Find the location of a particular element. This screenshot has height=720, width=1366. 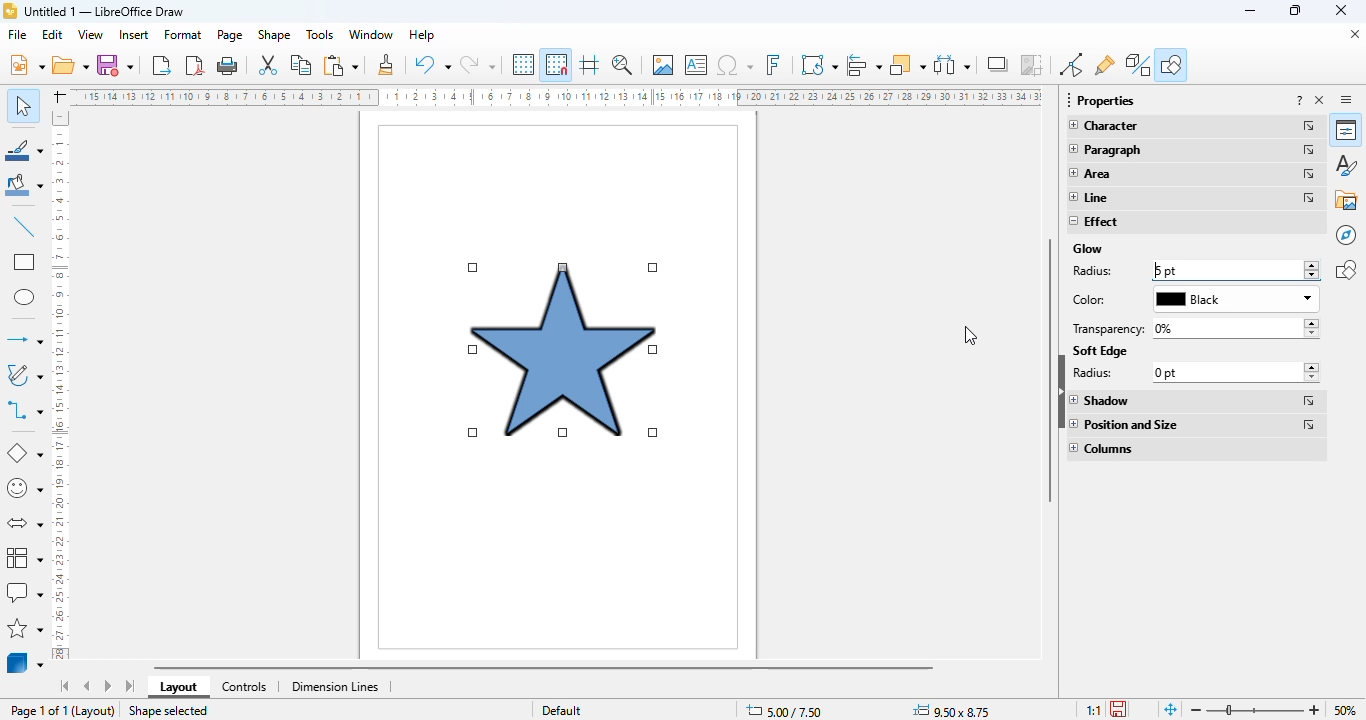

cut is located at coordinates (267, 64).